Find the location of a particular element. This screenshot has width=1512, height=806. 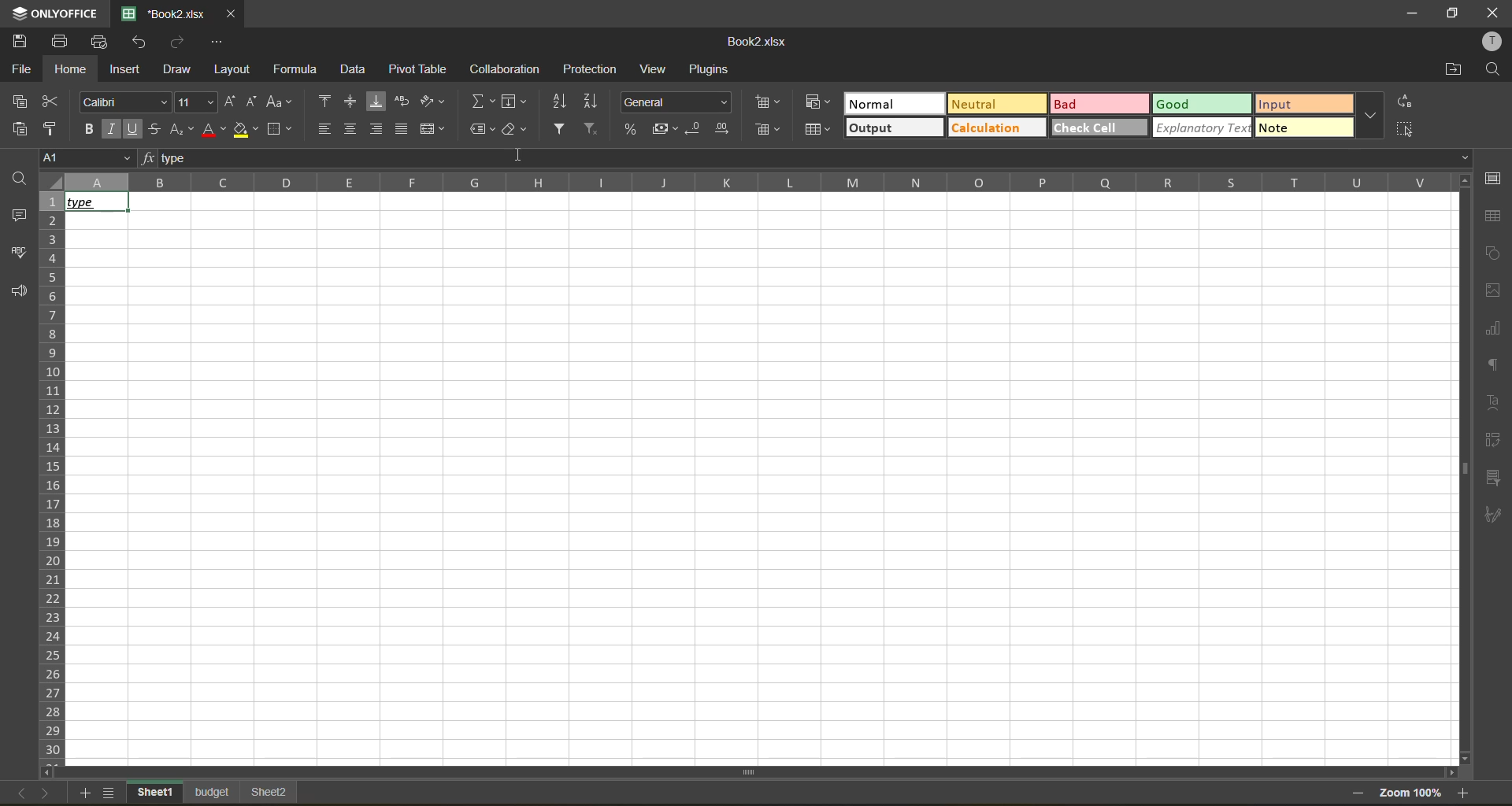

collaboration is located at coordinates (508, 72).